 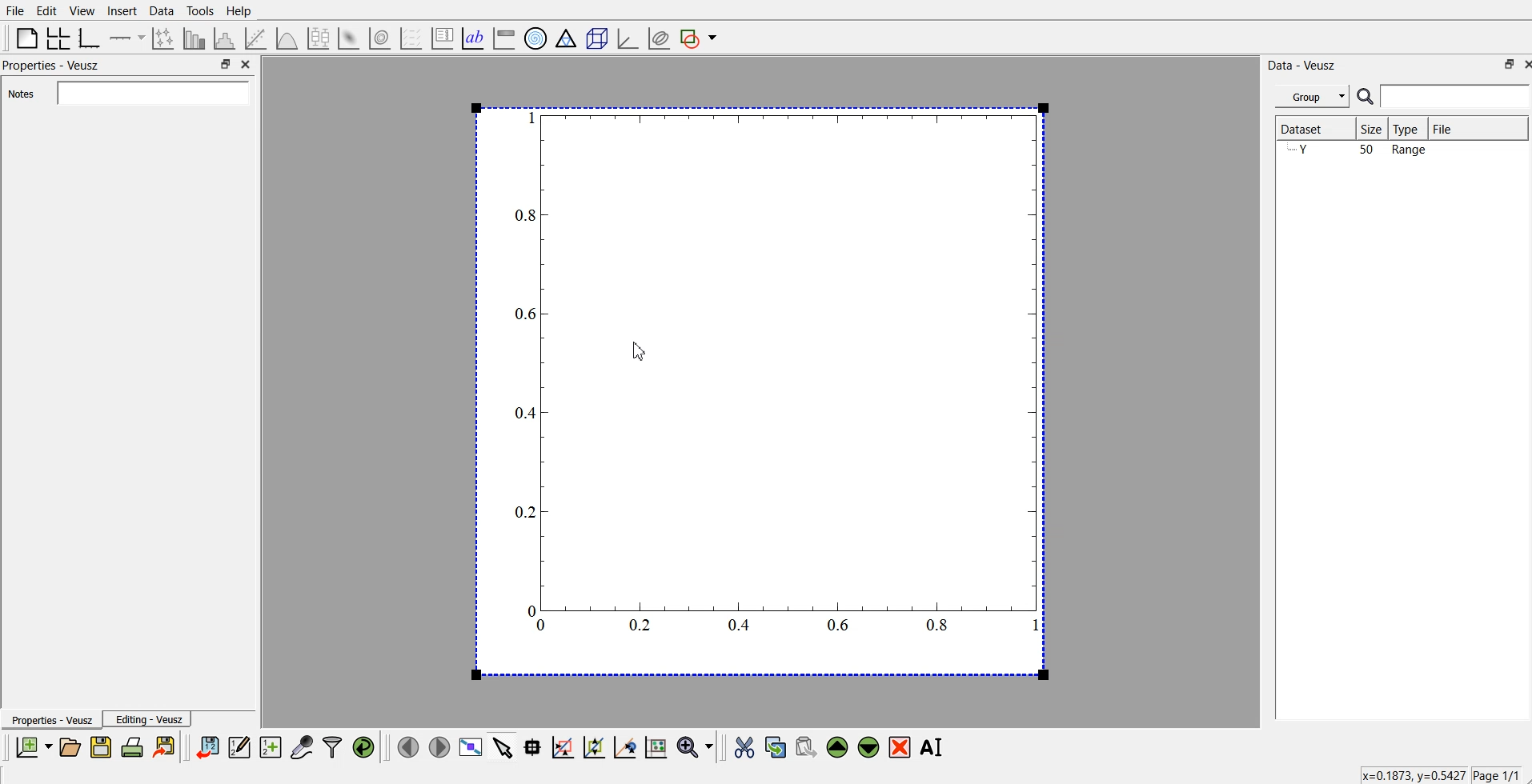 What do you see at coordinates (150, 719) in the screenshot?
I see `Editing - Veusz` at bounding box center [150, 719].